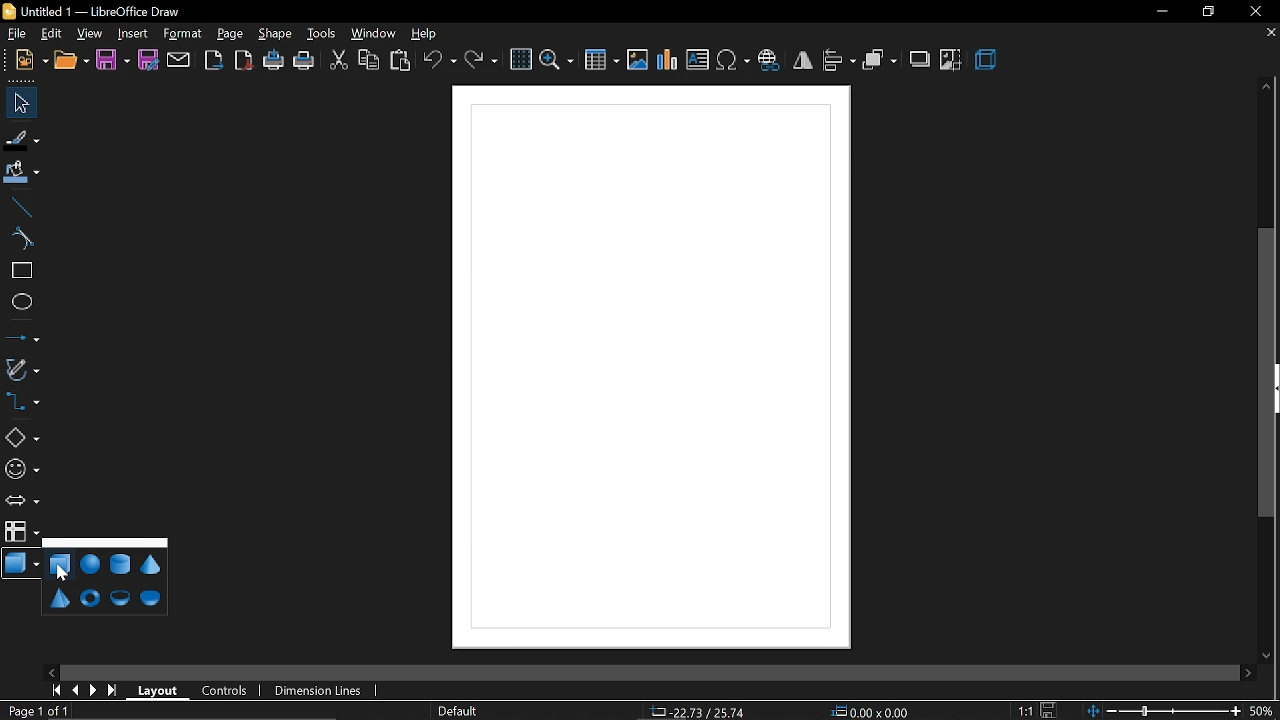  Describe the element at coordinates (839, 62) in the screenshot. I see `align` at that location.